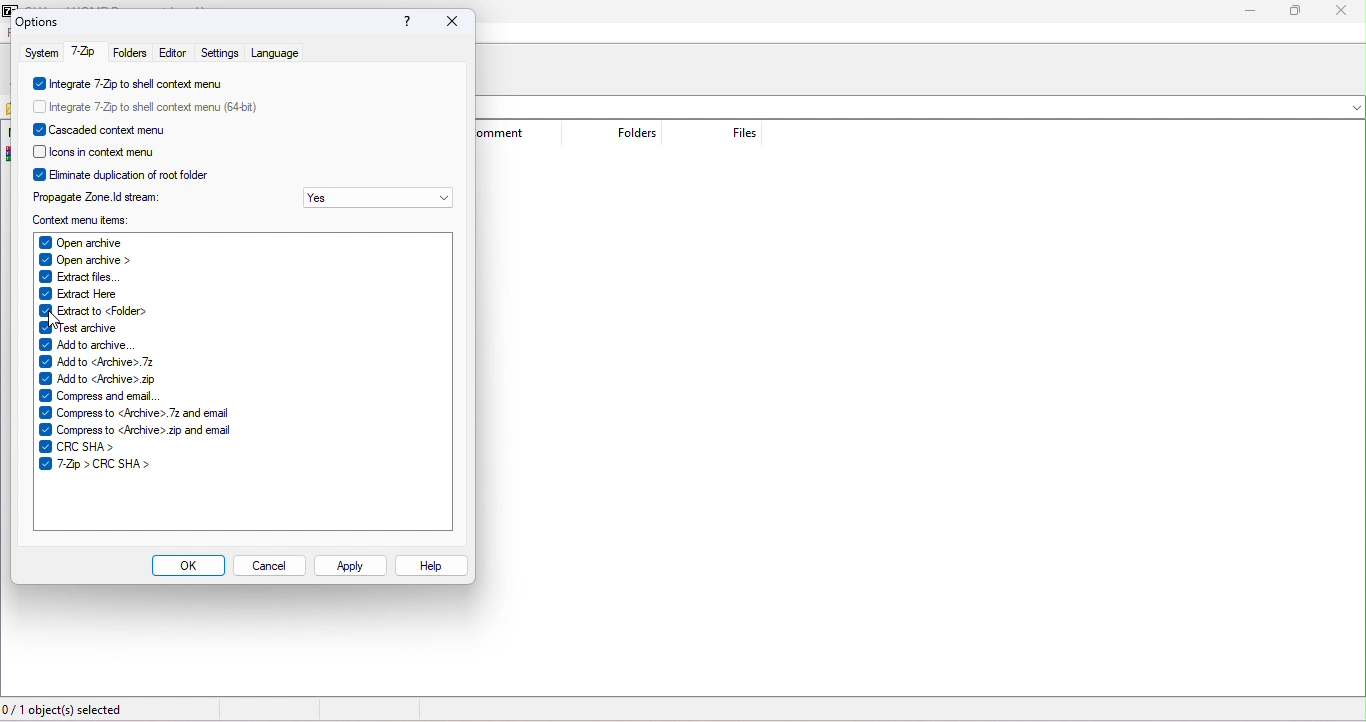 The height and width of the screenshot is (722, 1366). I want to click on help, so click(432, 565).